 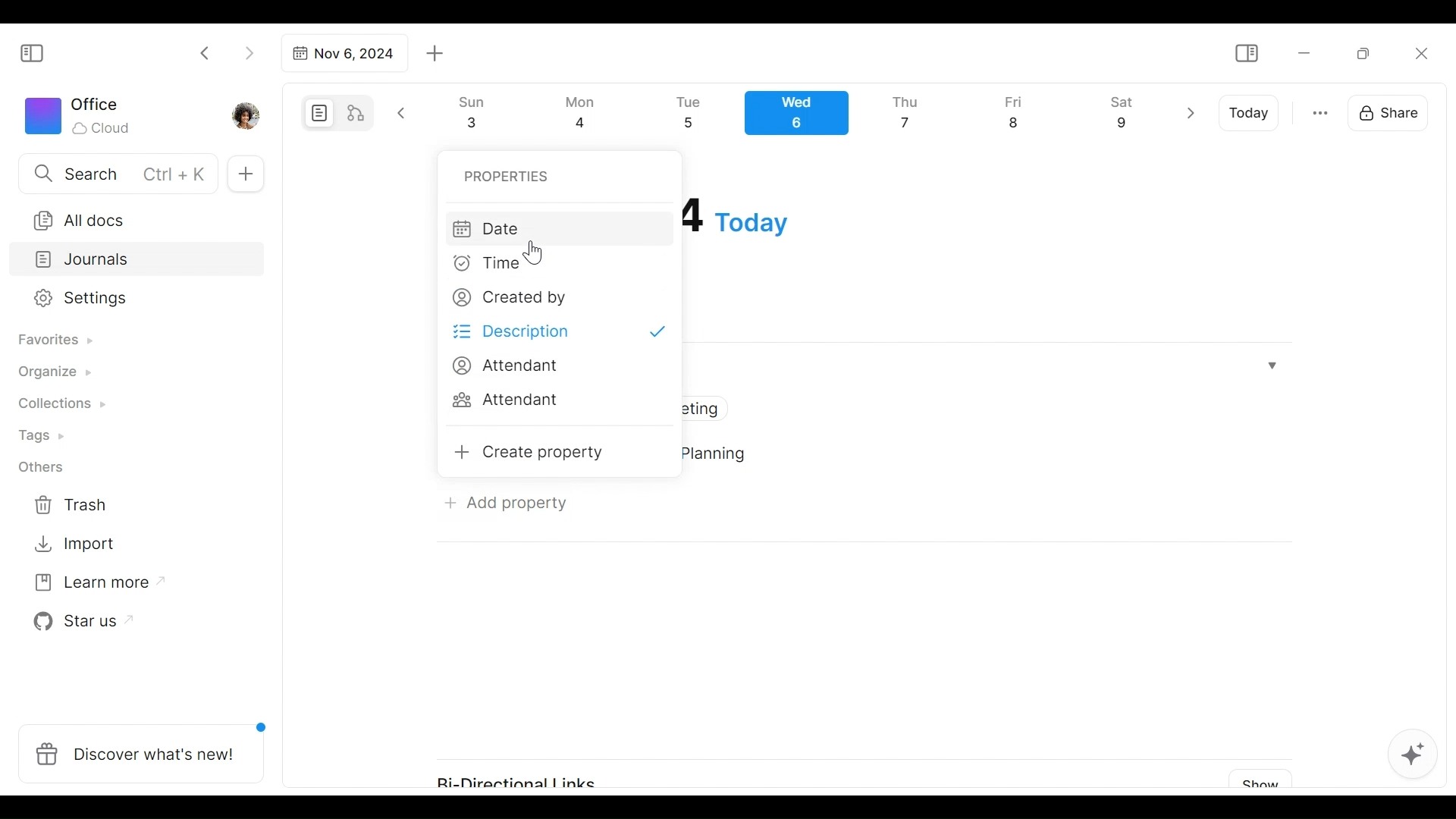 What do you see at coordinates (435, 54) in the screenshot?
I see `Add new tab` at bounding box center [435, 54].